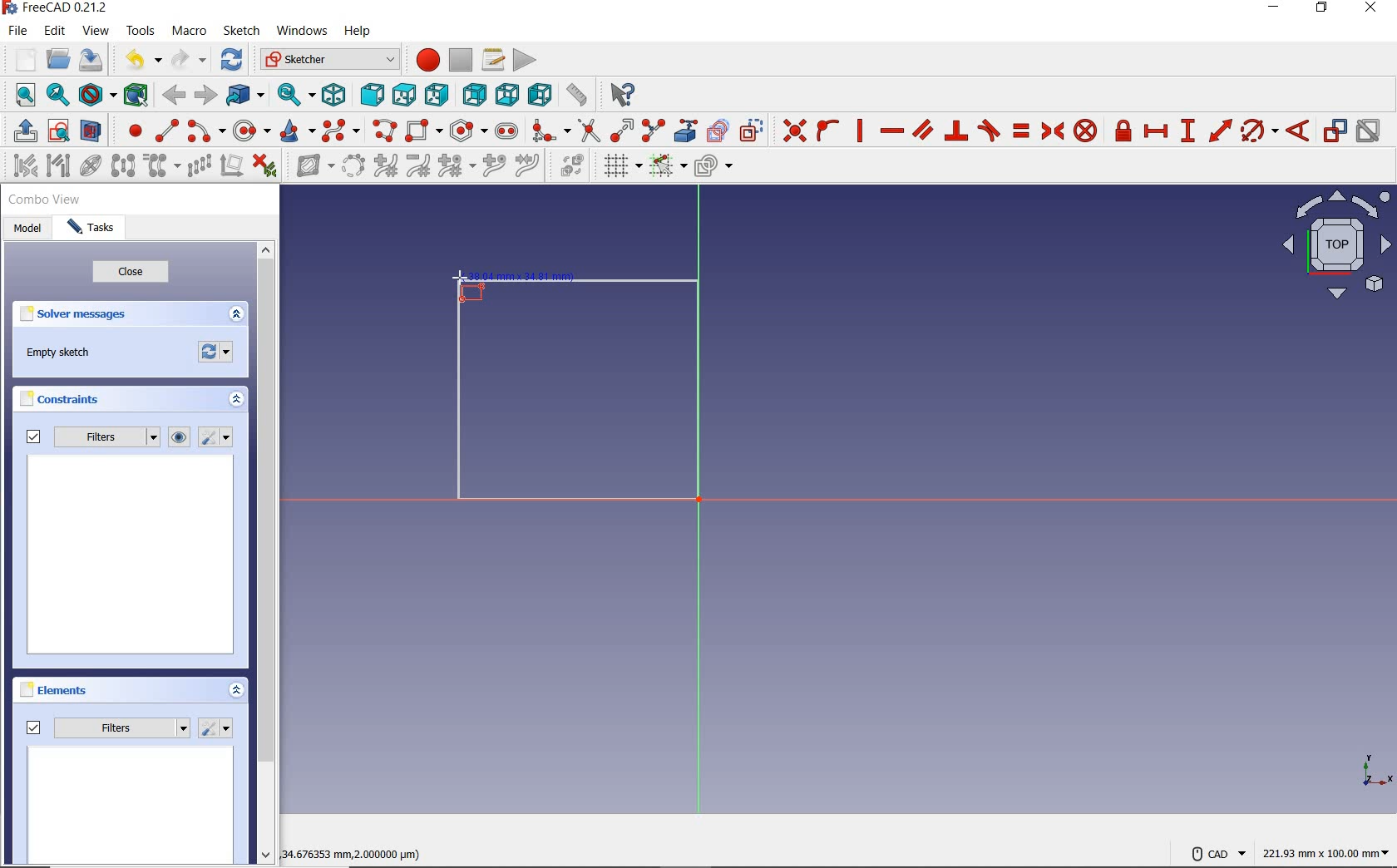 Image resolution: width=1397 pixels, height=868 pixels. What do you see at coordinates (237, 401) in the screenshot?
I see `expand` at bounding box center [237, 401].